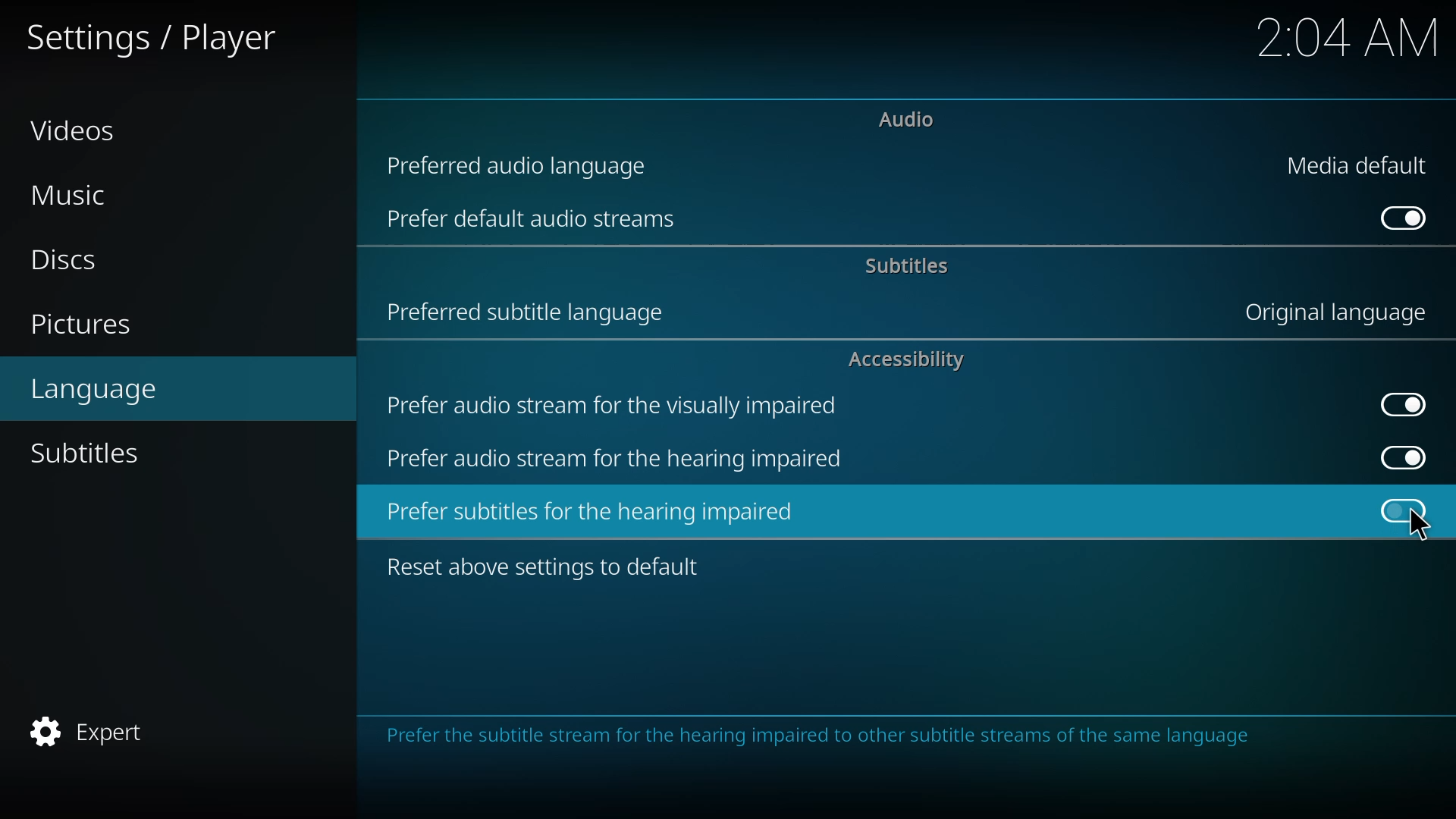 The image size is (1456, 819). What do you see at coordinates (88, 453) in the screenshot?
I see `subtitles` at bounding box center [88, 453].